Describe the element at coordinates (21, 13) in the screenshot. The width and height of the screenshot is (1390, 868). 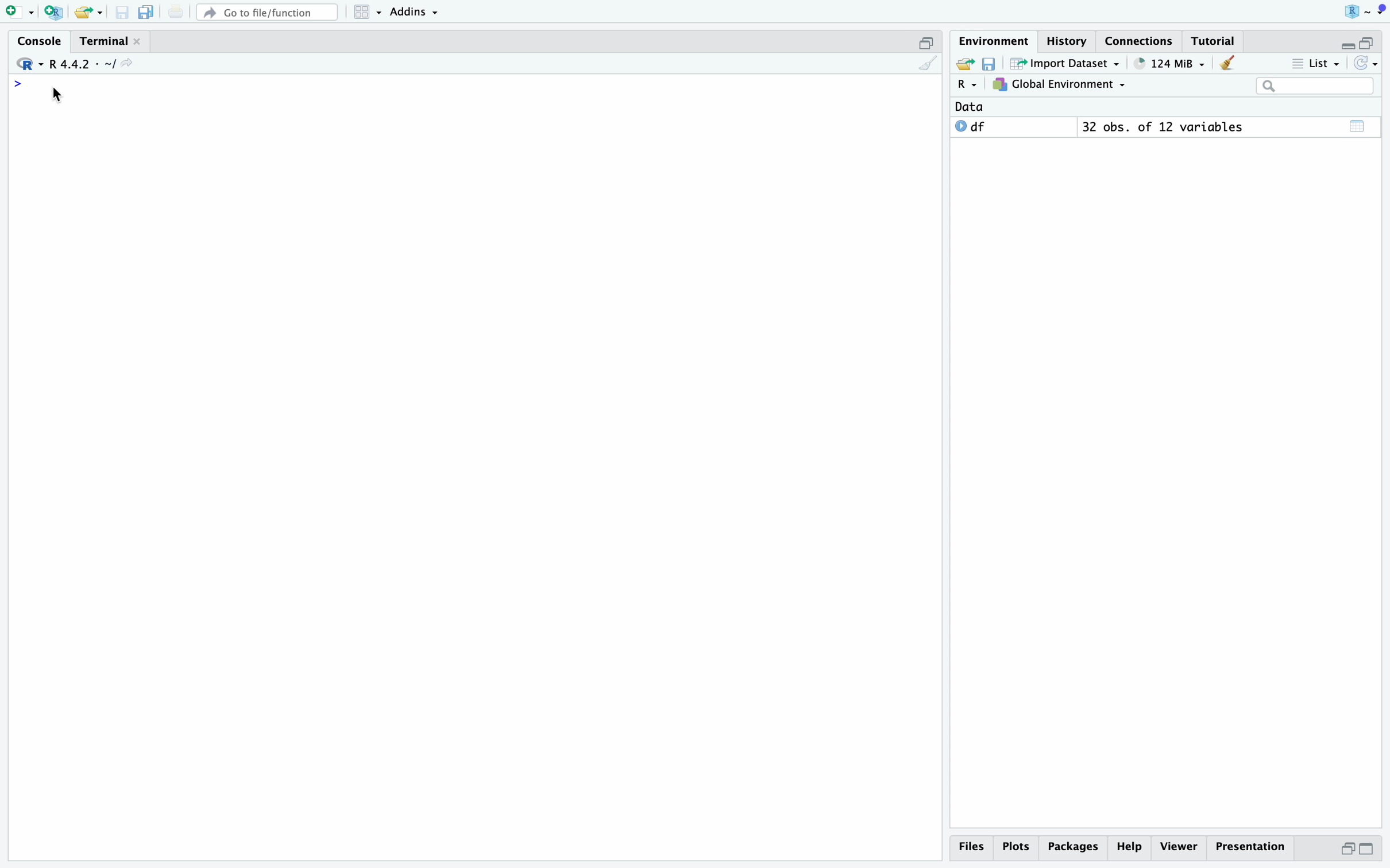
I see `Add file as` at that location.